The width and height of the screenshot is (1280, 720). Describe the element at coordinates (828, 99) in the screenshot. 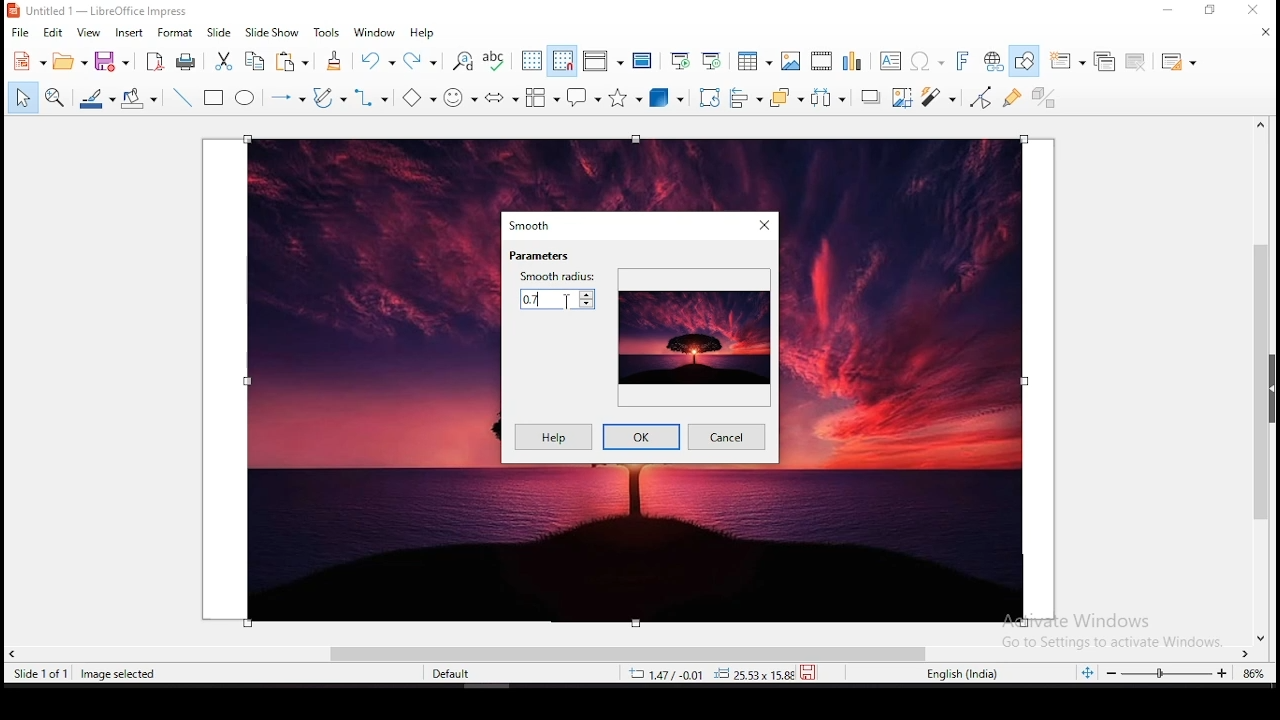

I see `distribute` at that location.